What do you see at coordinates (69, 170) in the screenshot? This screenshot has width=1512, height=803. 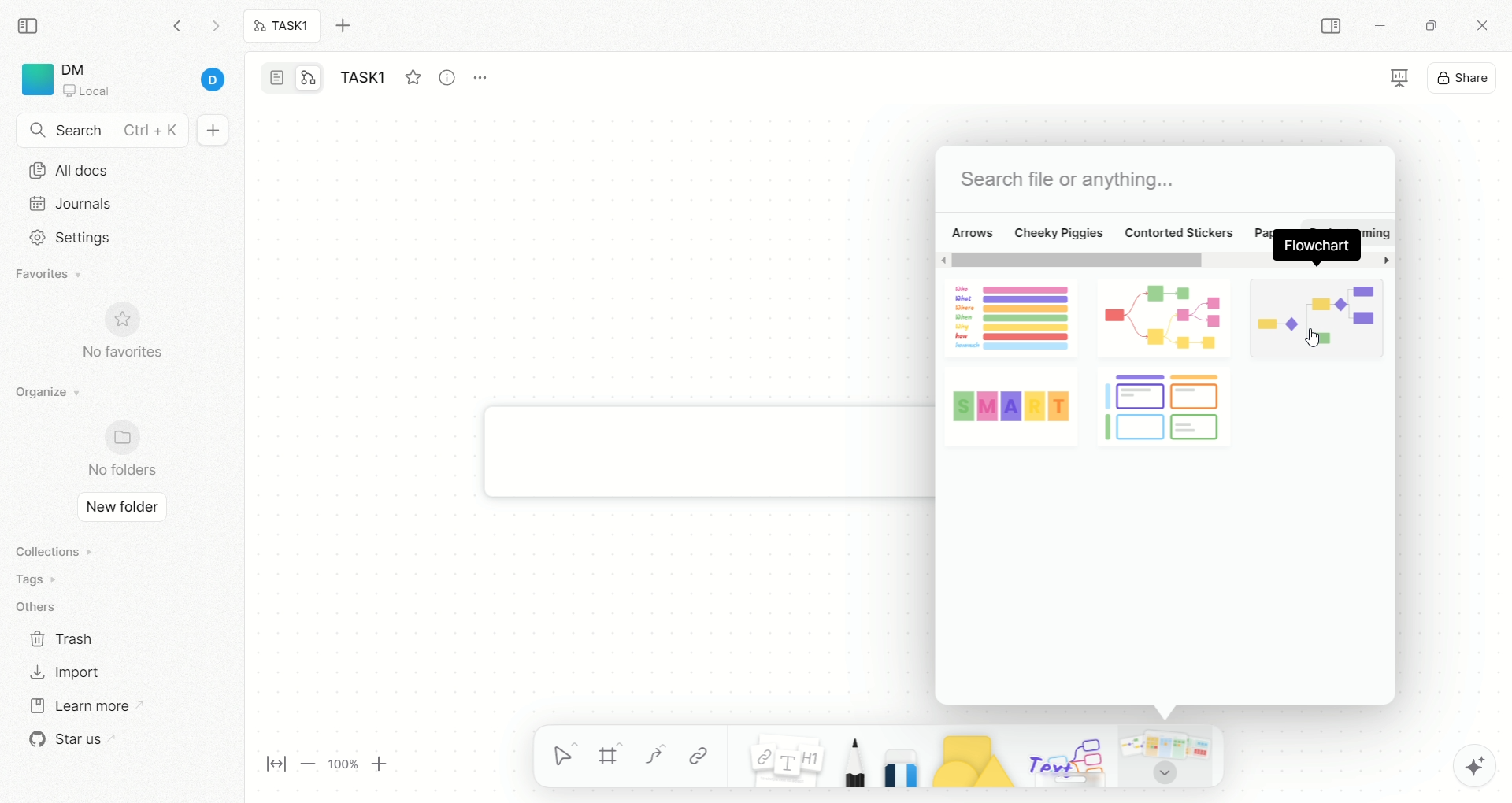 I see `all docs` at bounding box center [69, 170].